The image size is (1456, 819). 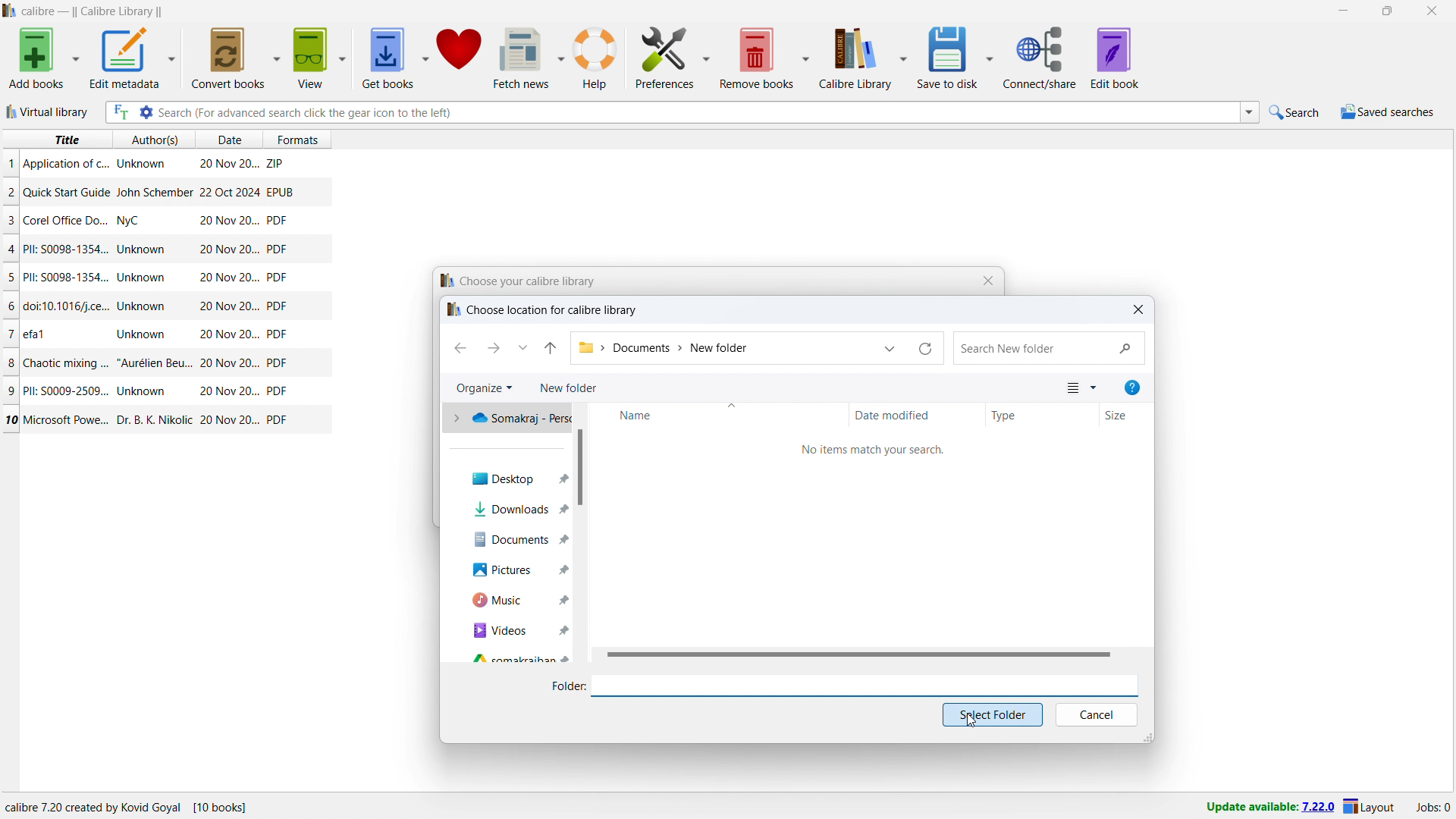 I want to click on convert books options, so click(x=278, y=56).